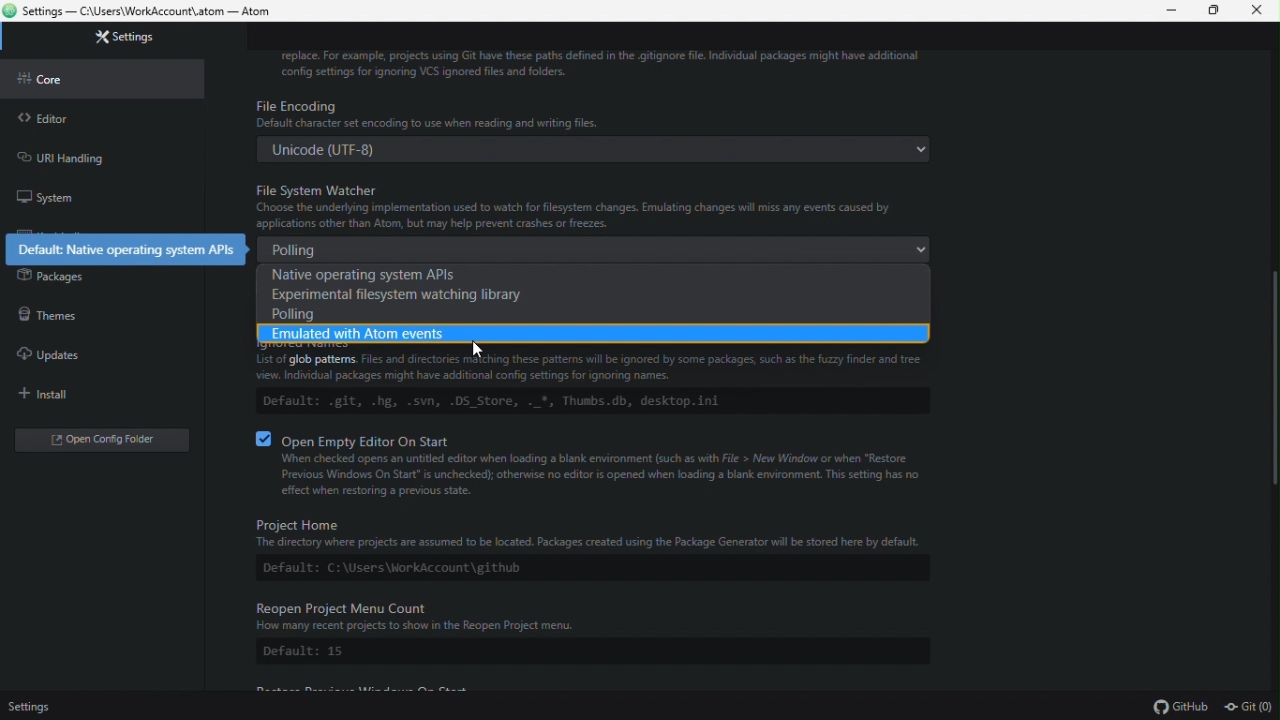  What do you see at coordinates (594, 250) in the screenshot?
I see `polling` at bounding box center [594, 250].